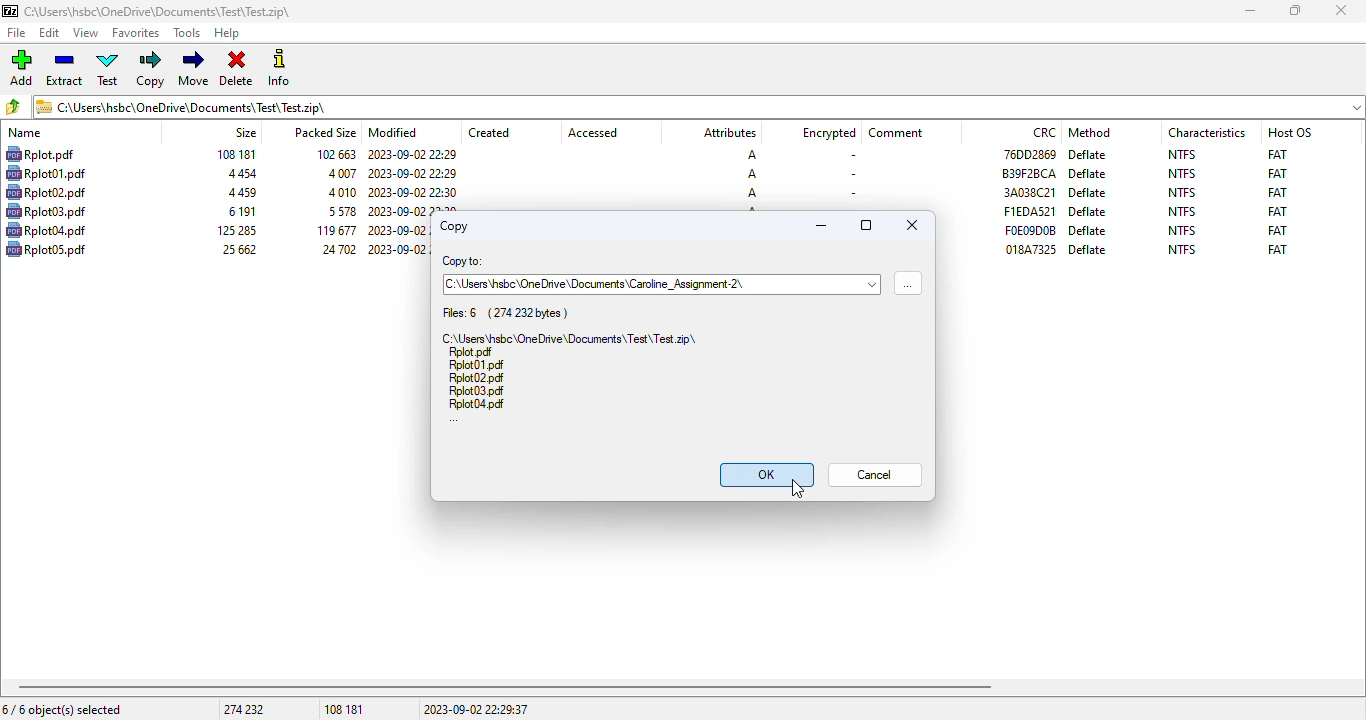 The image size is (1366, 720). What do you see at coordinates (46, 173) in the screenshot?
I see `file` at bounding box center [46, 173].